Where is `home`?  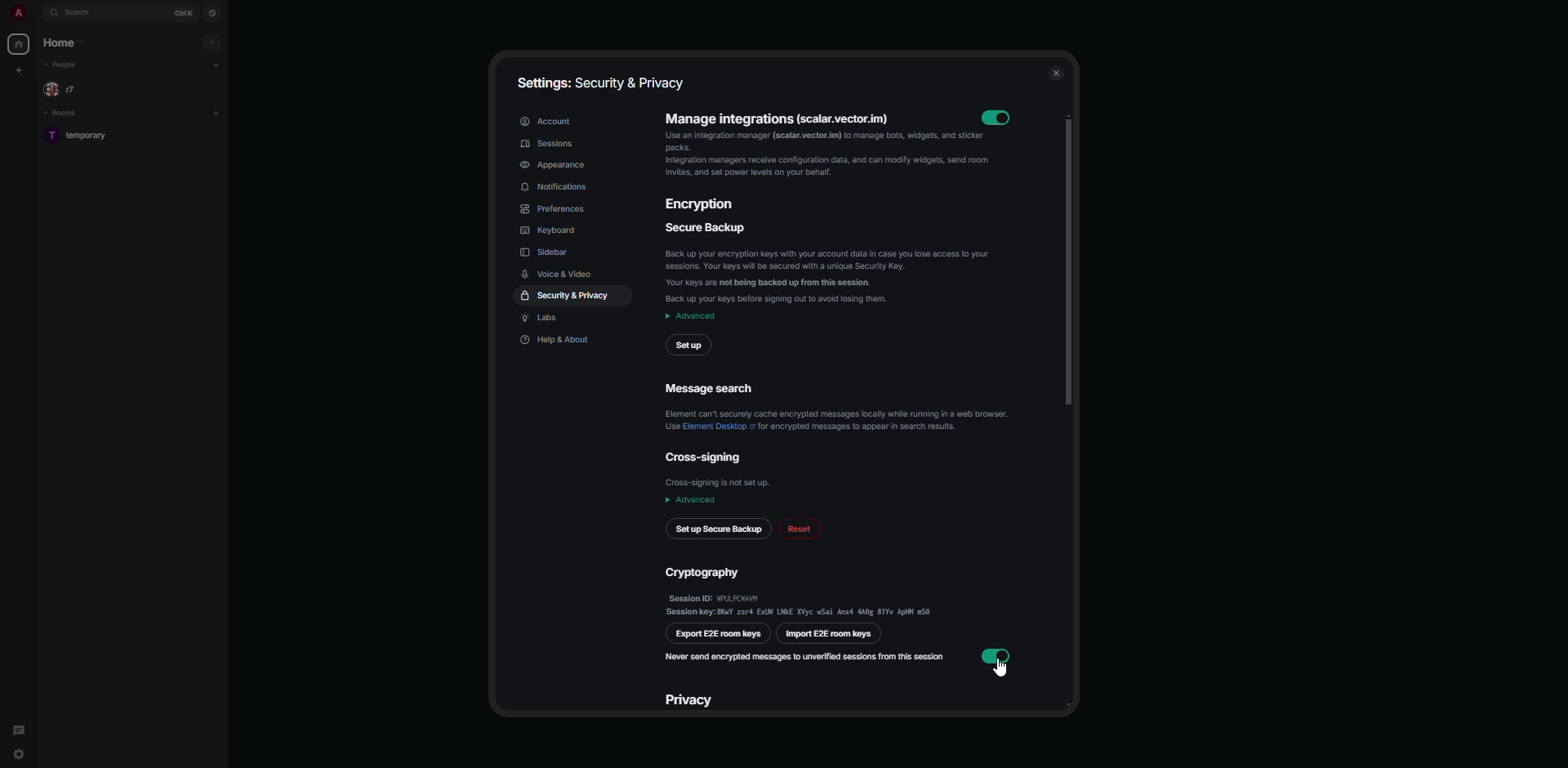
home is located at coordinates (18, 46).